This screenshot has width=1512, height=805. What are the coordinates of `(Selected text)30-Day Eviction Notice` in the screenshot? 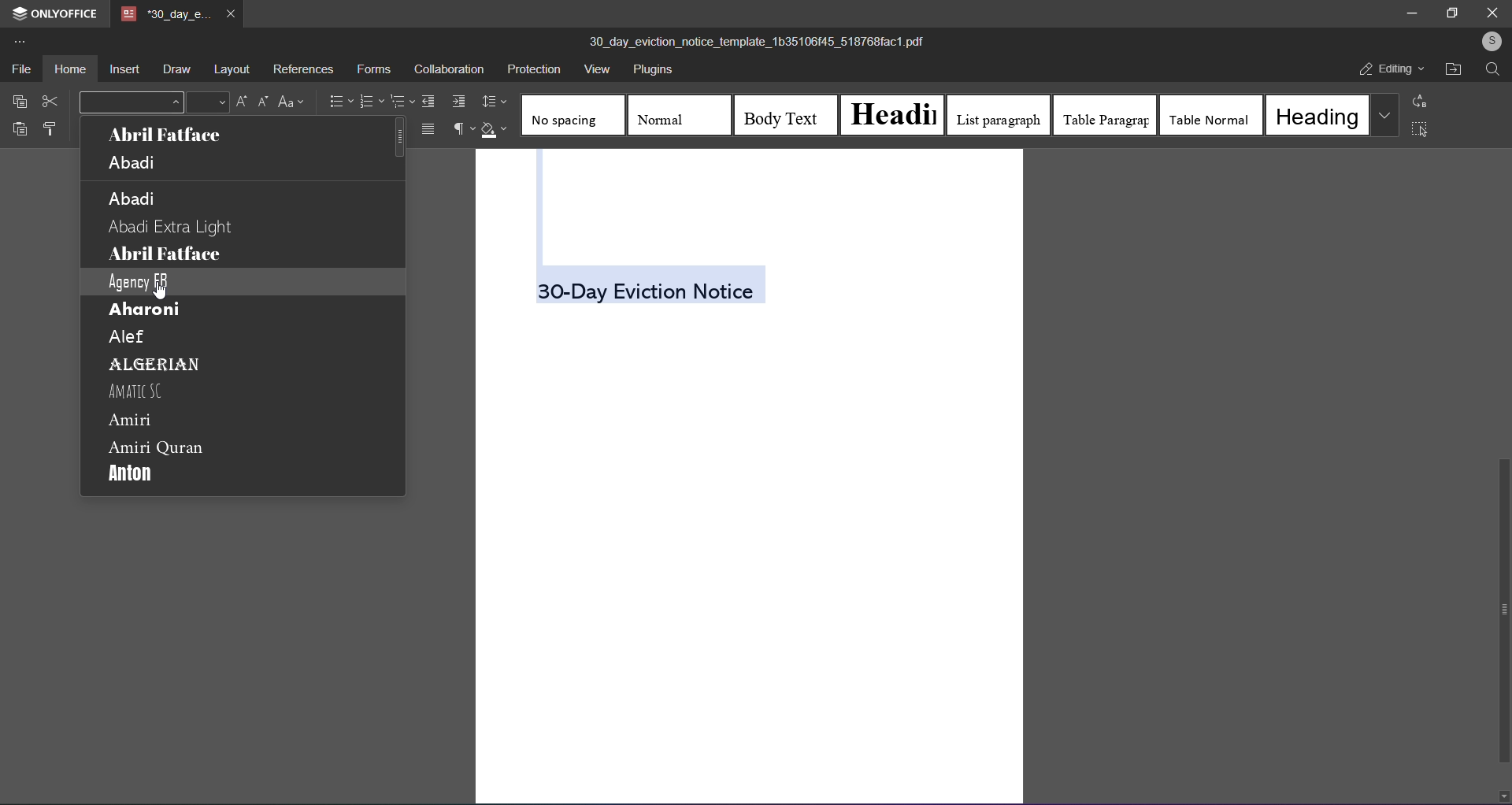 It's located at (649, 290).